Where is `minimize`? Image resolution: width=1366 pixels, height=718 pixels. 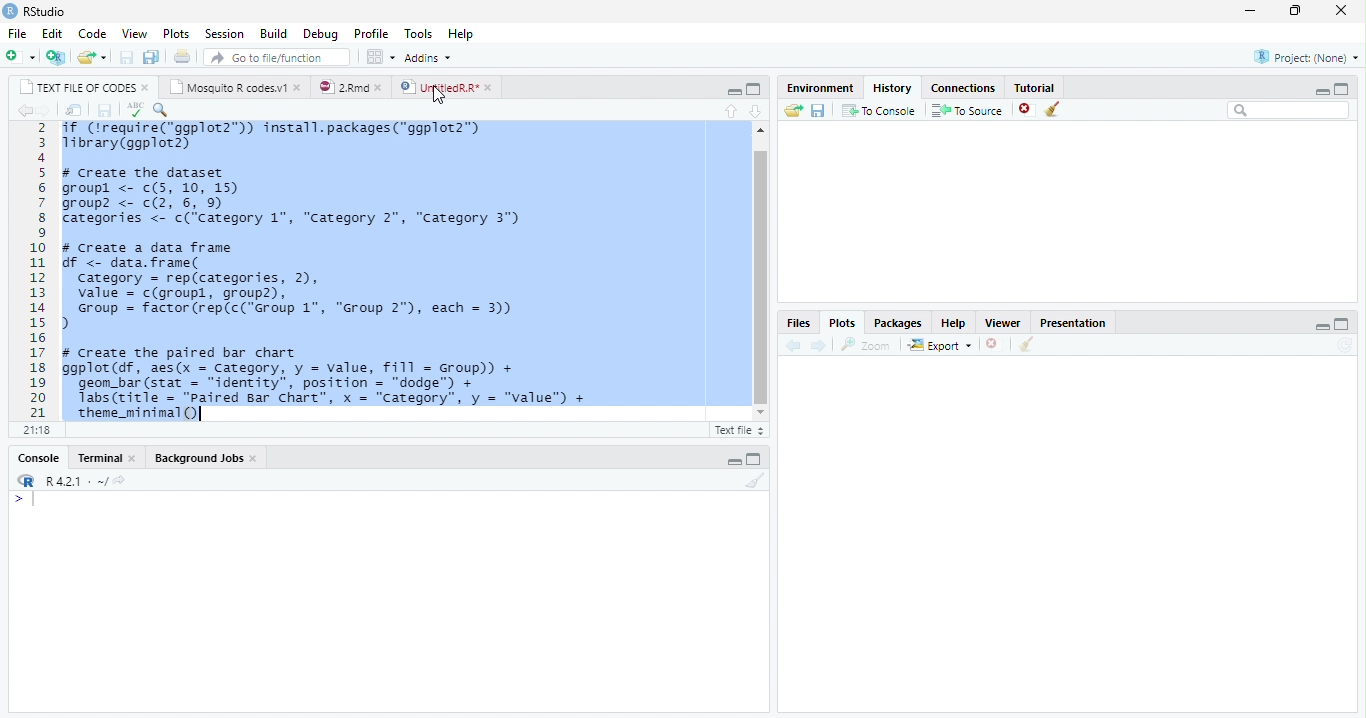 minimize is located at coordinates (1250, 10).